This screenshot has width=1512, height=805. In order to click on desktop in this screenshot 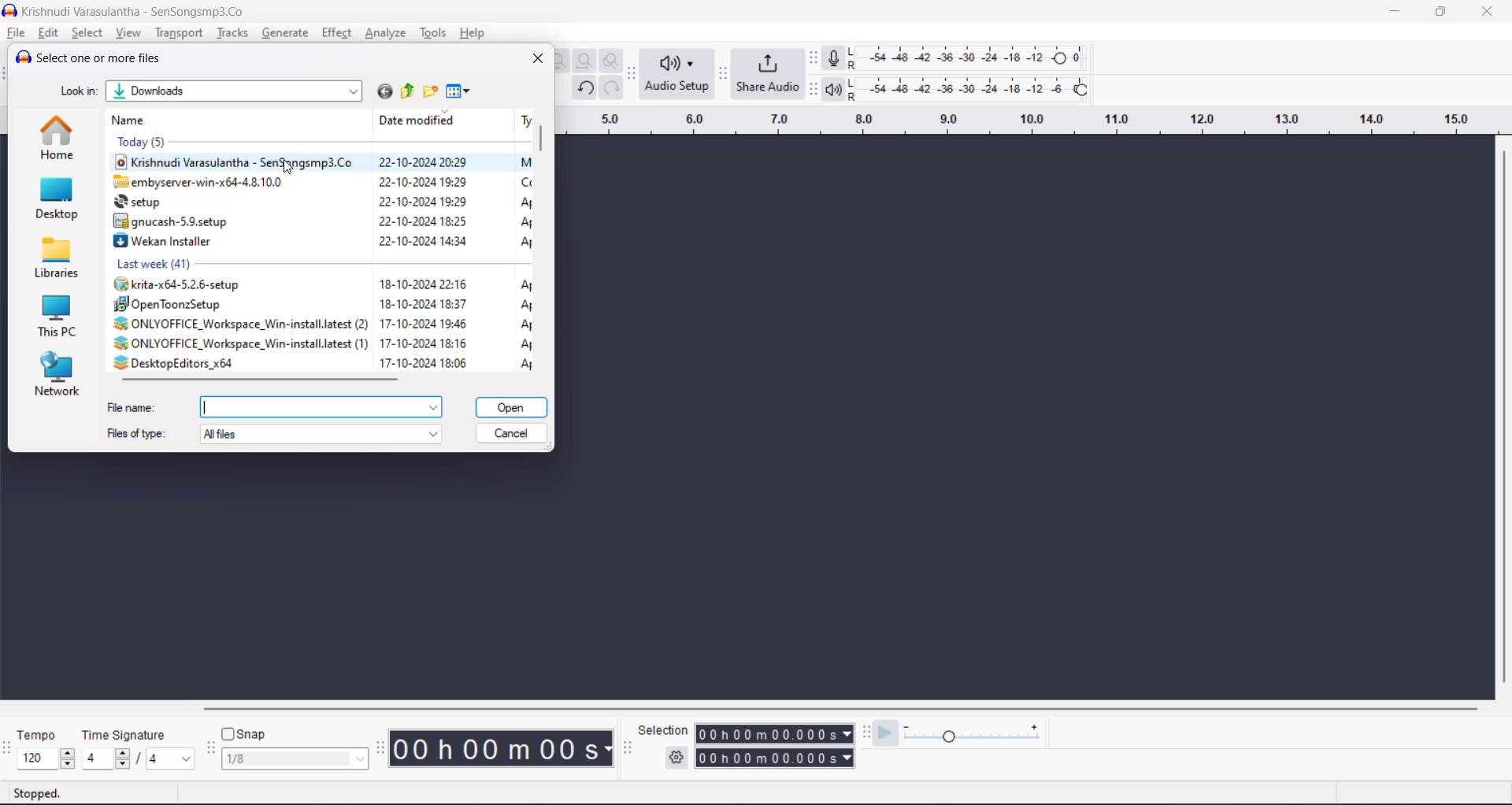, I will do `click(59, 199)`.